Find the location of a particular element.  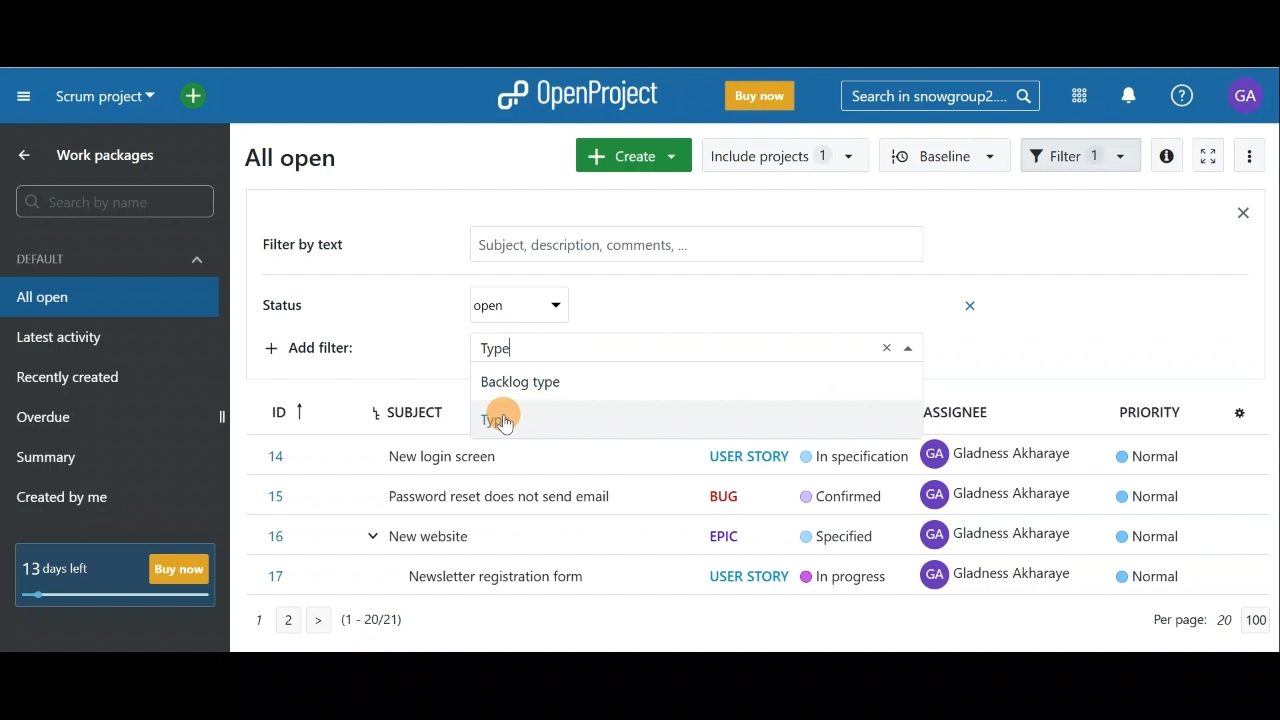

Default is located at coordinates (110, 257).